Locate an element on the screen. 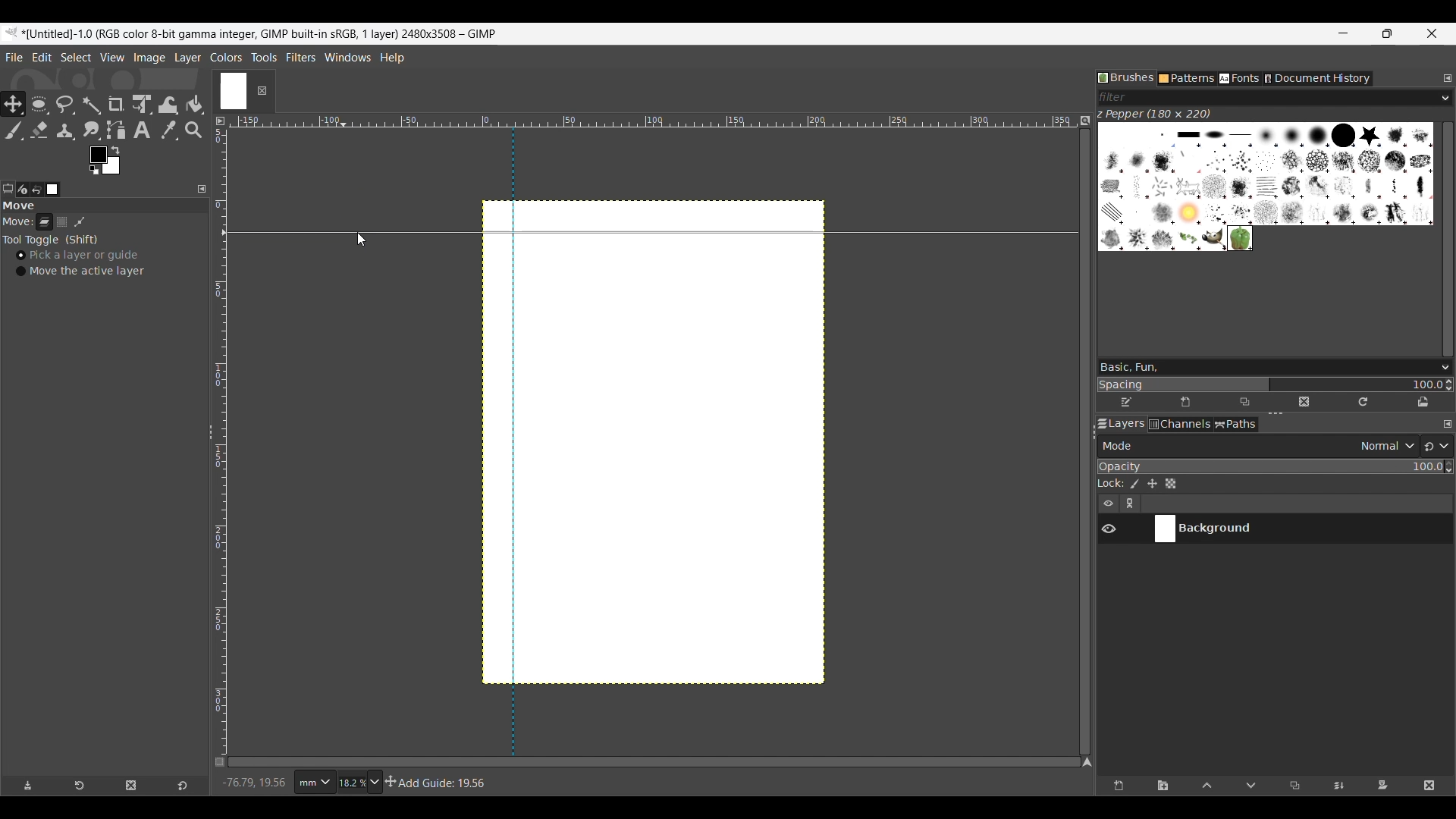 Image resolution: width=1456 pixels, height=819 pixels. Zoom image when video size changes is located at coordinates (1084, 121).